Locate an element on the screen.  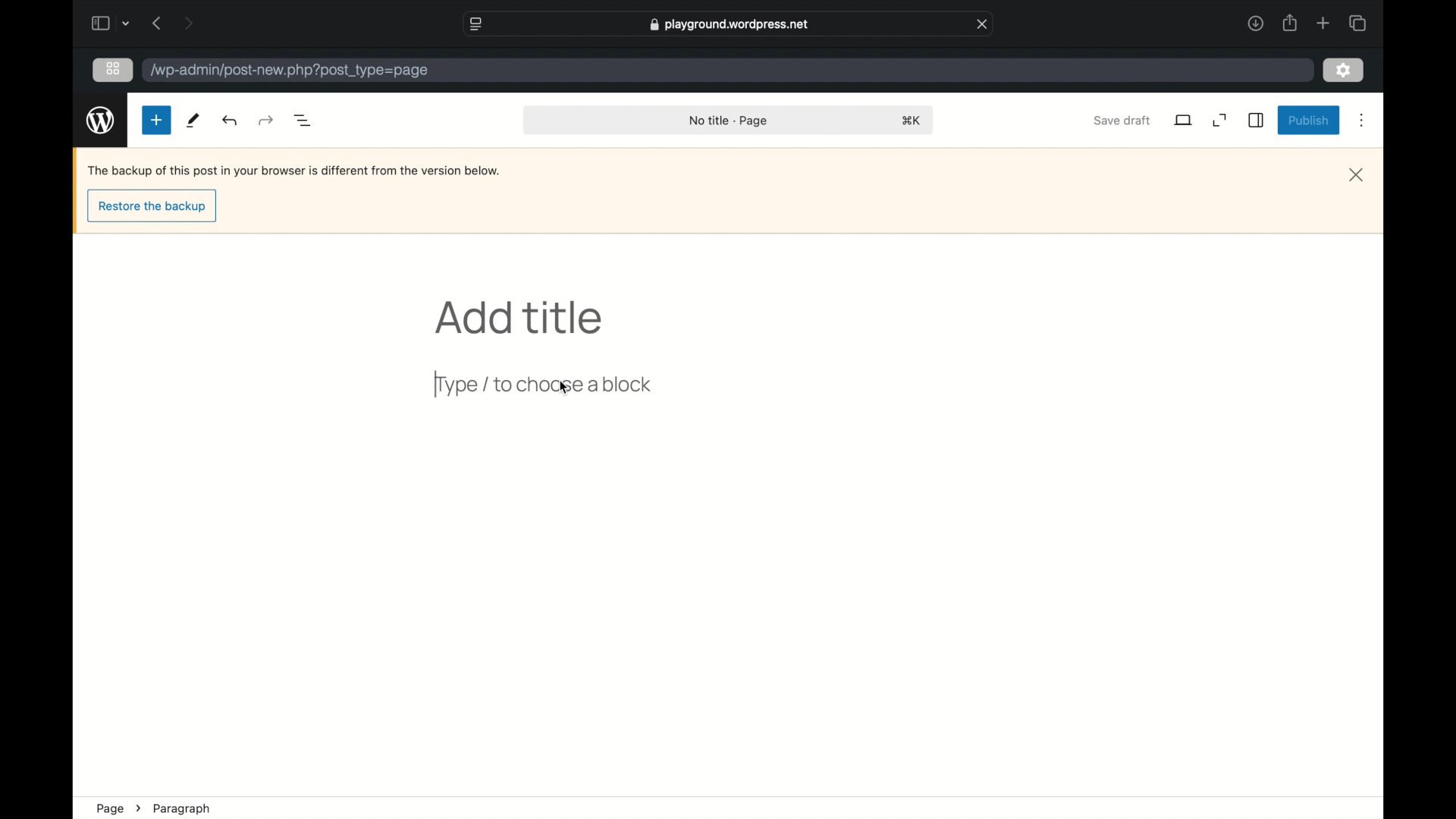
next page is located at coordinates (188, 23).